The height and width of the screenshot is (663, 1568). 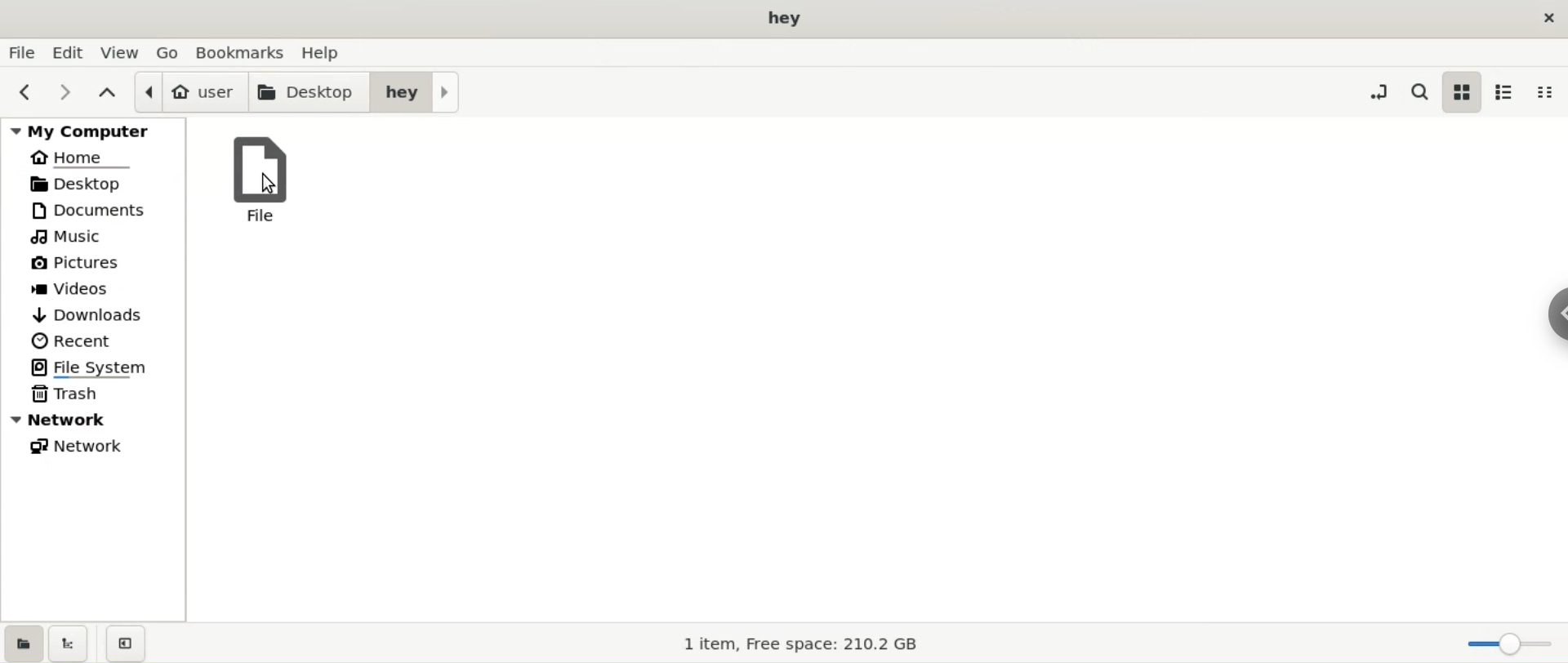 I want to click on nect, so click(x=64, y=91).